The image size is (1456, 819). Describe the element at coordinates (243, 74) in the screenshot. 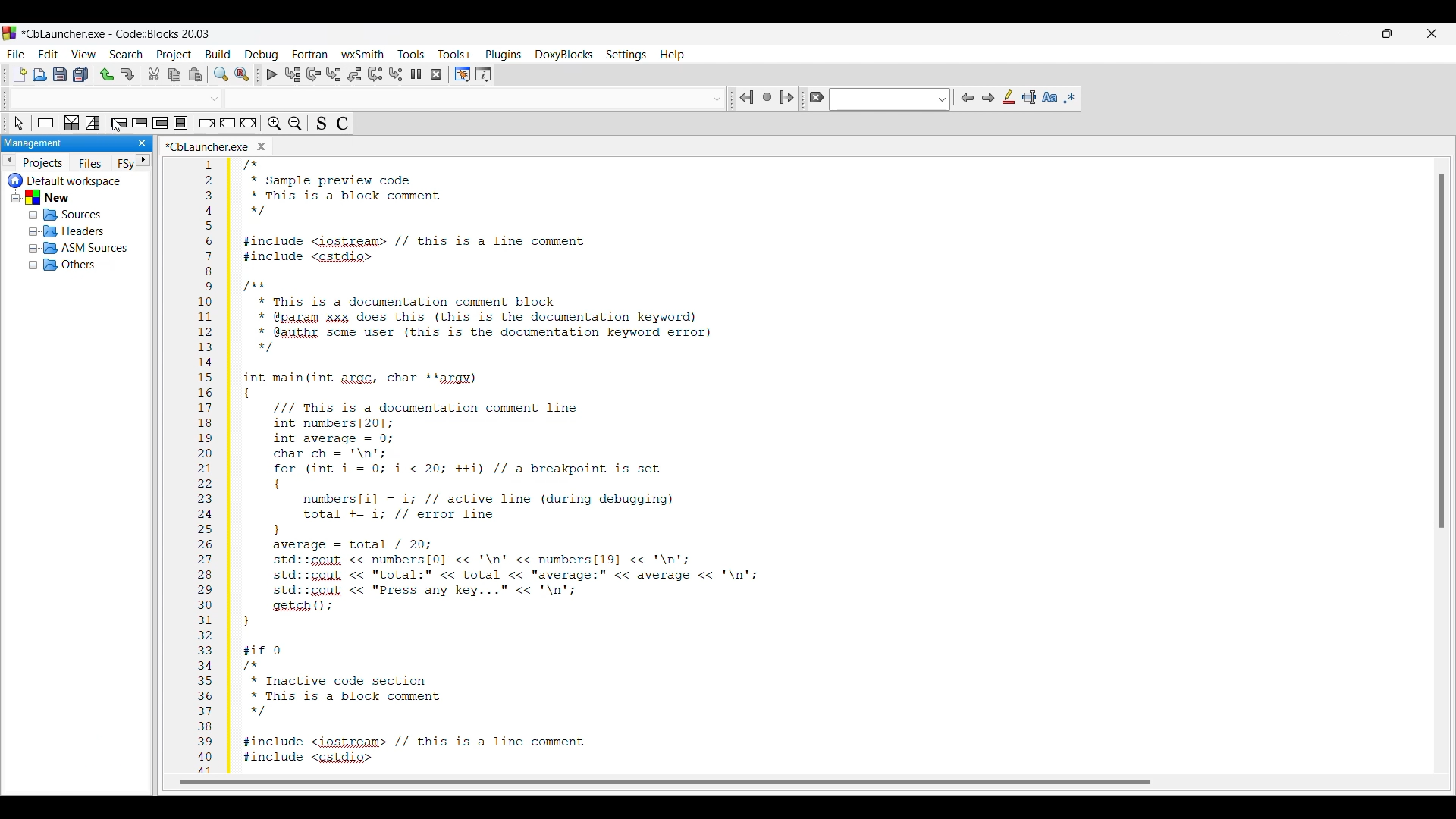

I see `Replace` at that location.